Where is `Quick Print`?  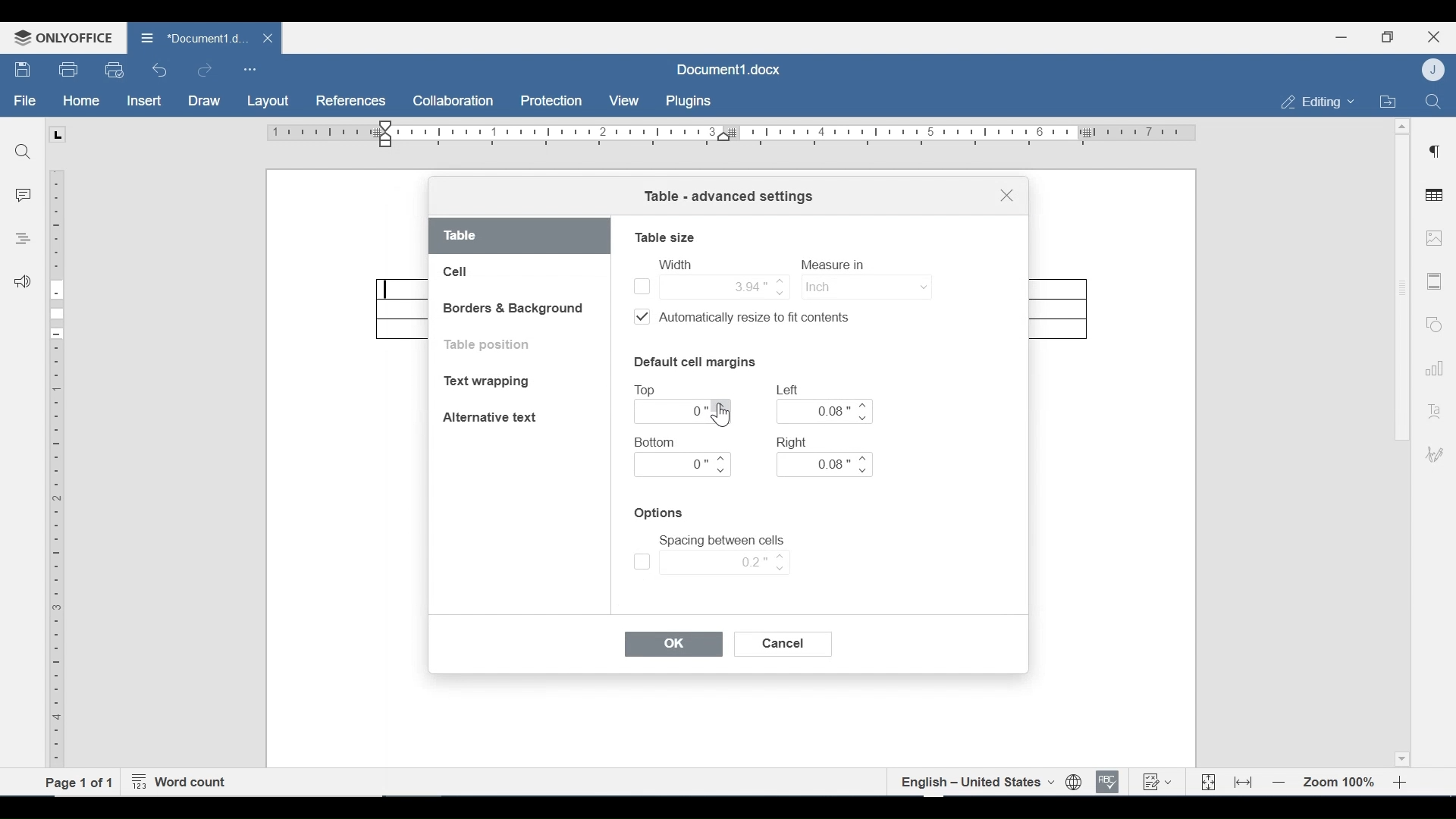
Quick Print is located at coordinates (113, 69).